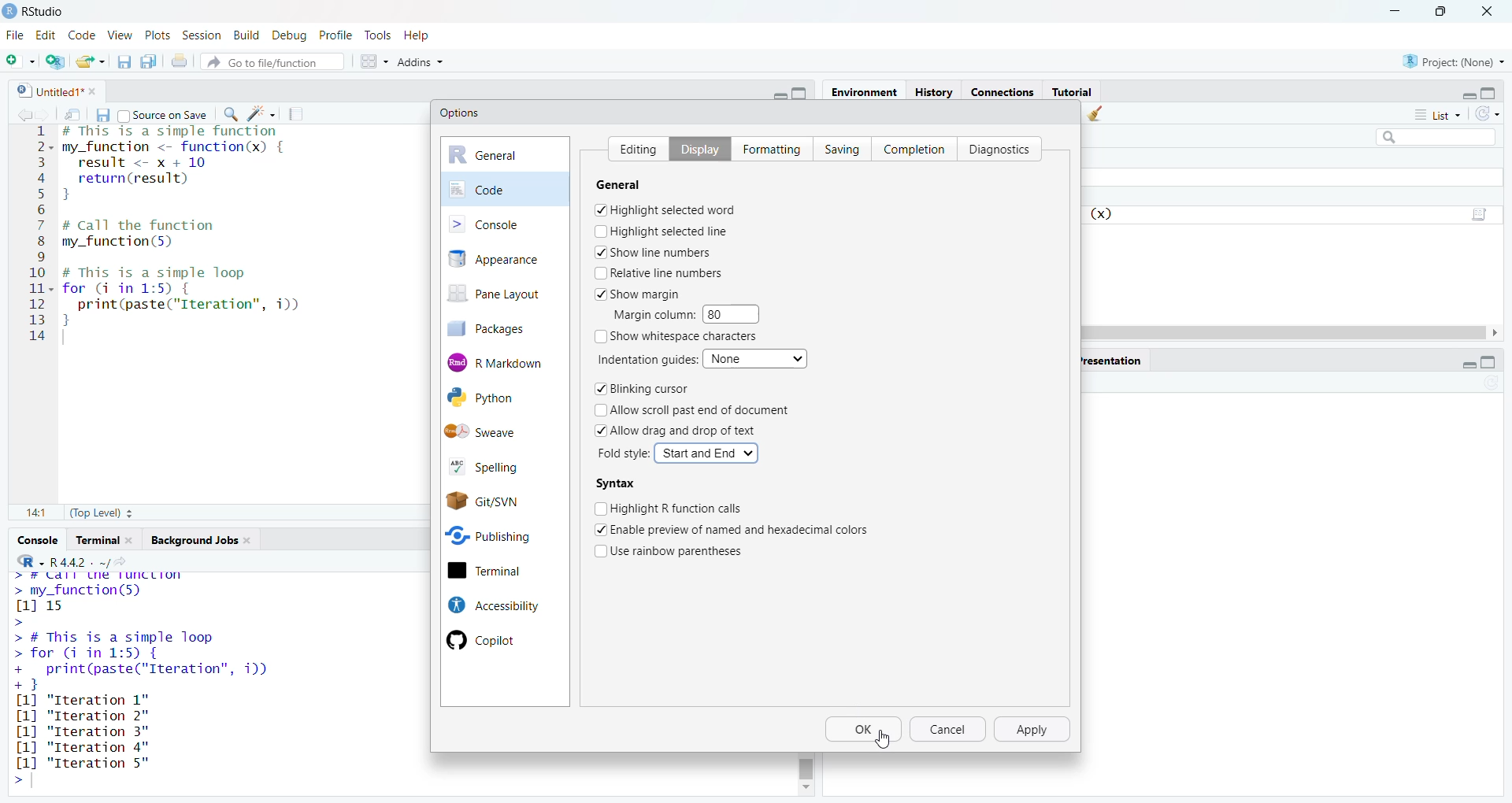 The width and height of the screenshot is (1512, 803). What do you see at coordinates (15, 35) in the screenshot?
I see `File` at bounding box center [15, 35].